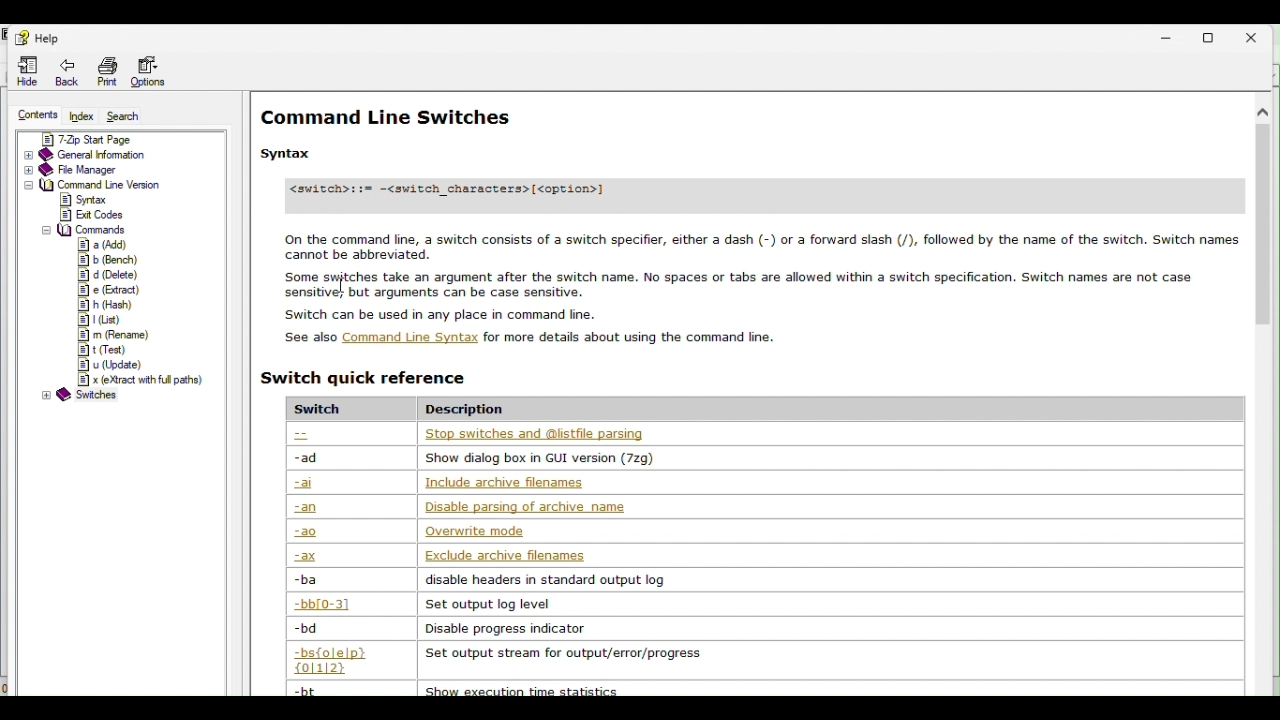  I want to click on x, so click(142, 380).